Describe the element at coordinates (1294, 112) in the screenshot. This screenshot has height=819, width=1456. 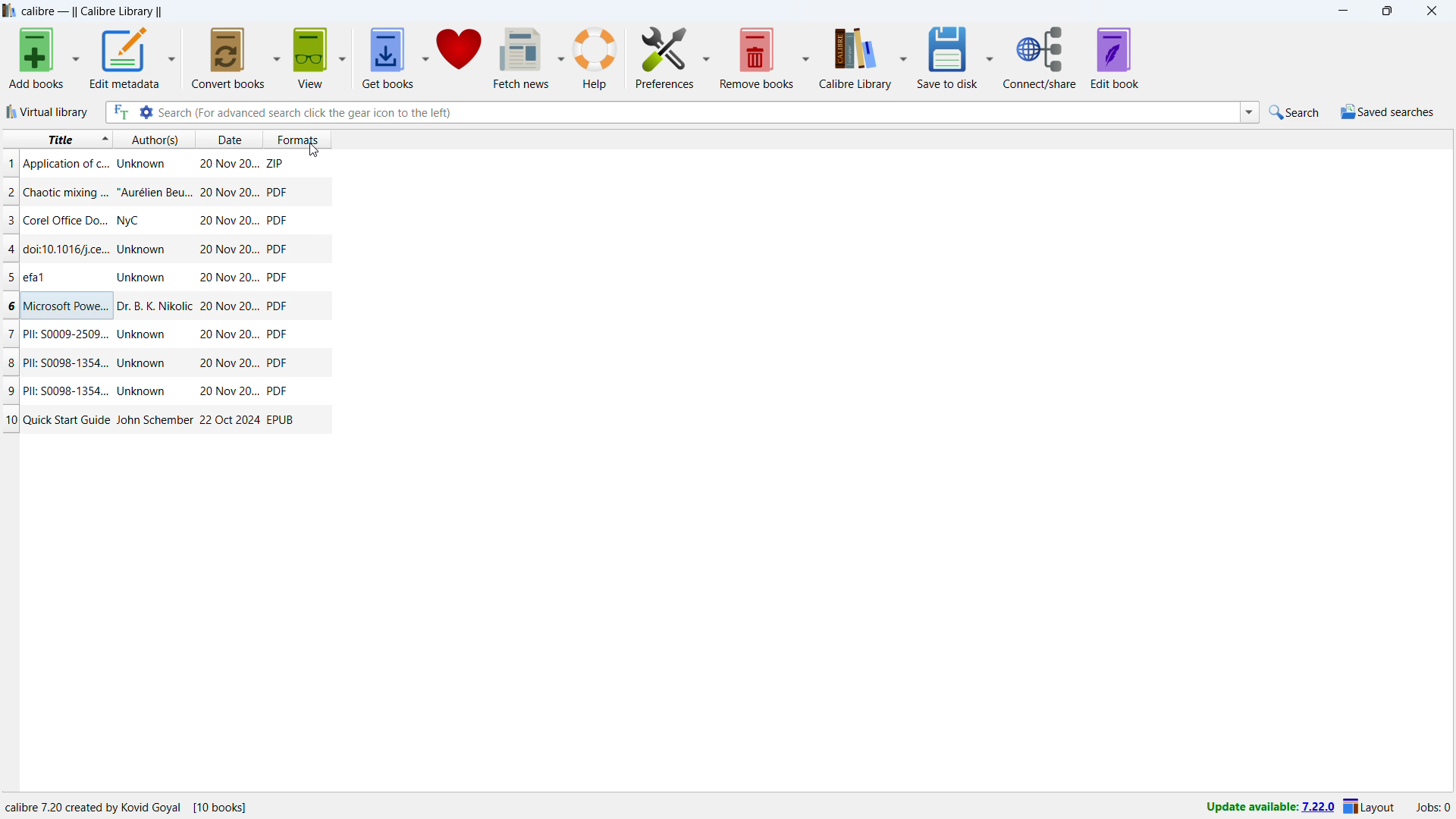
I see `quick search` at that location.